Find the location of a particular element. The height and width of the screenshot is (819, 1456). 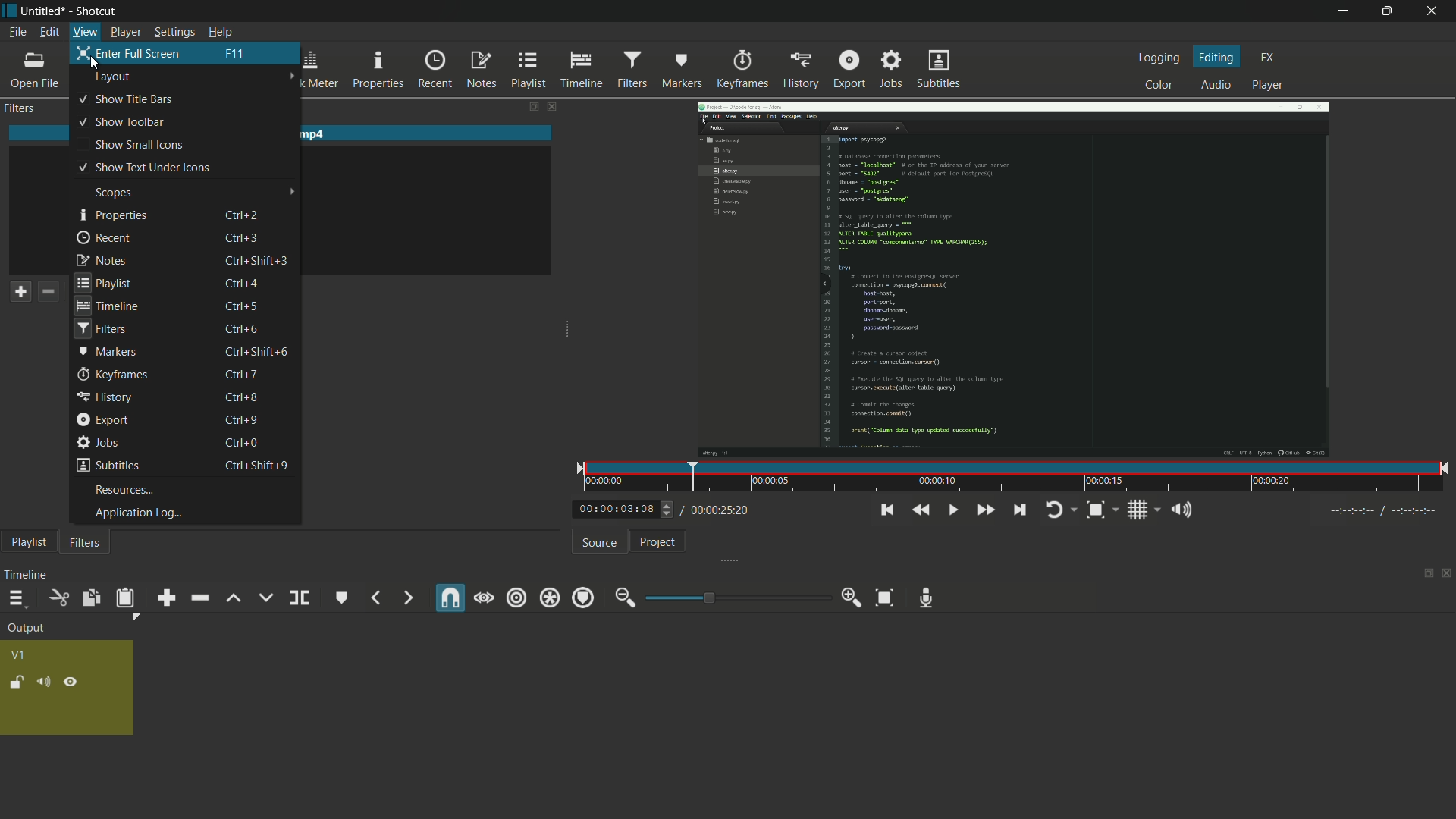

file menu is located at coordinates (17, 33).